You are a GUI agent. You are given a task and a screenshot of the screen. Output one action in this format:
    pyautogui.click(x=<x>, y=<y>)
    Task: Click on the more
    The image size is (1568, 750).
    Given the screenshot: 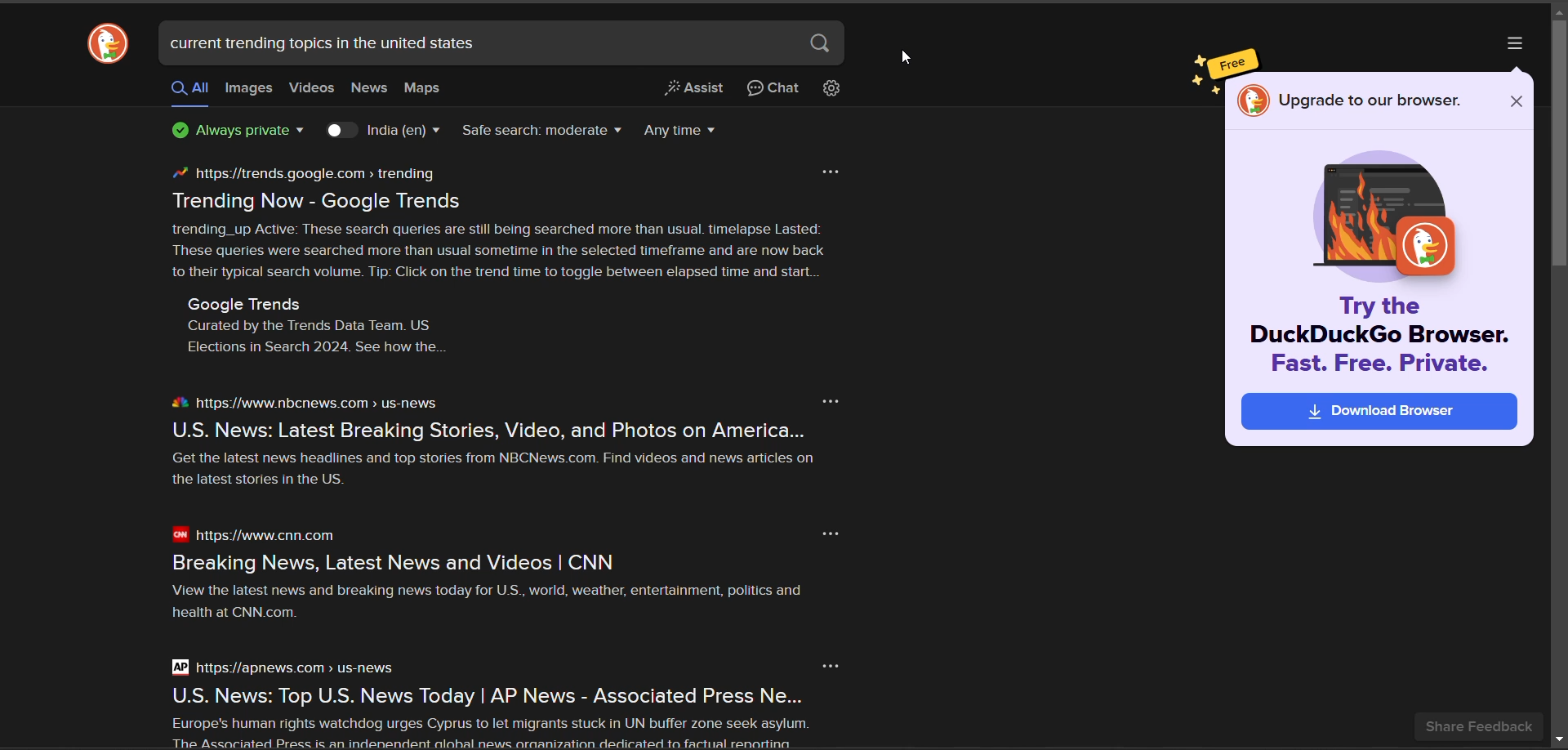 What is the action you would take?
    pyautogui.click(x=831, y=401)
    